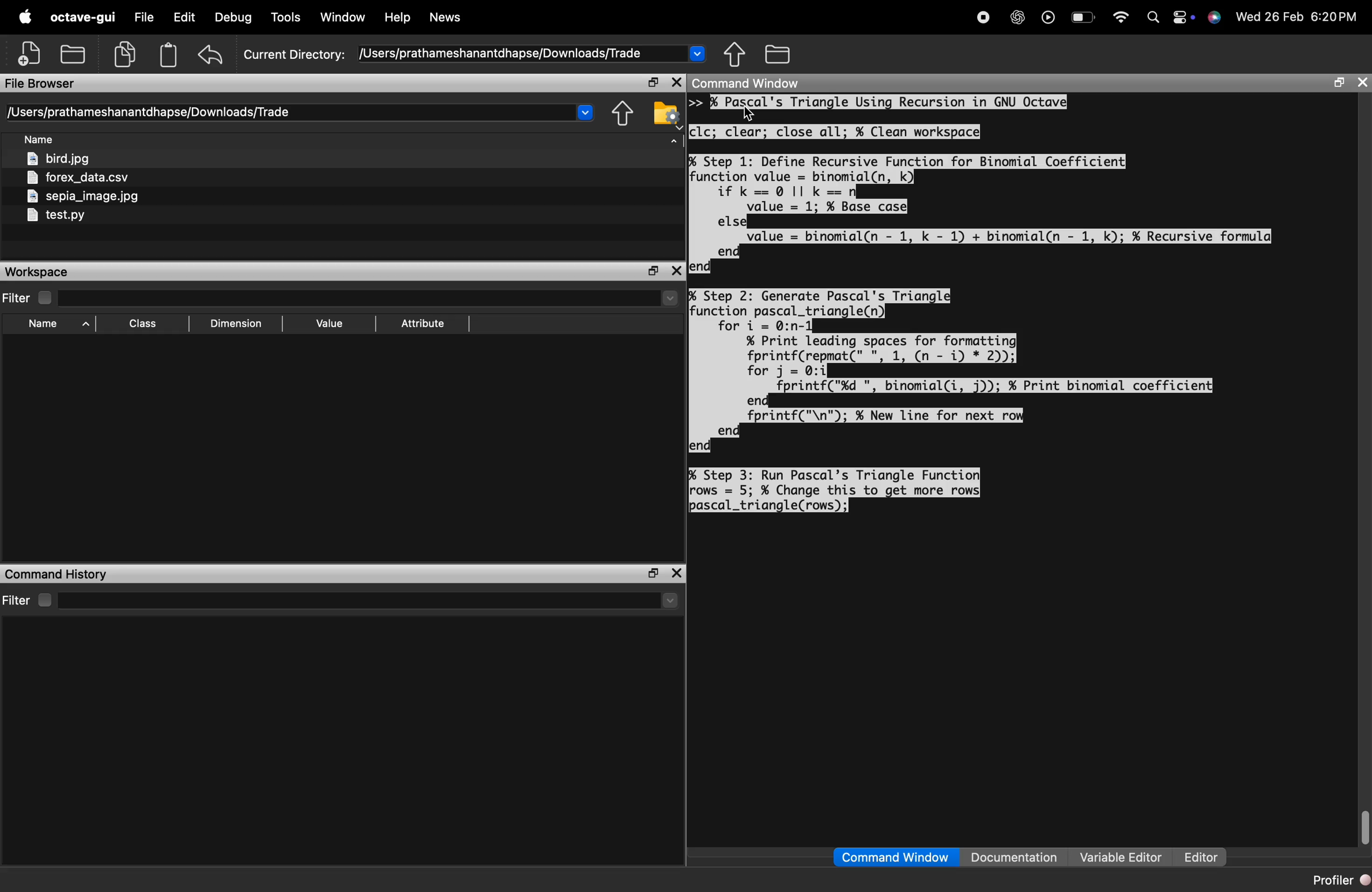  What do you see at coordinates (169, 55) in the screenshot?
I see `clipboard` at bounding box center [169, 55].